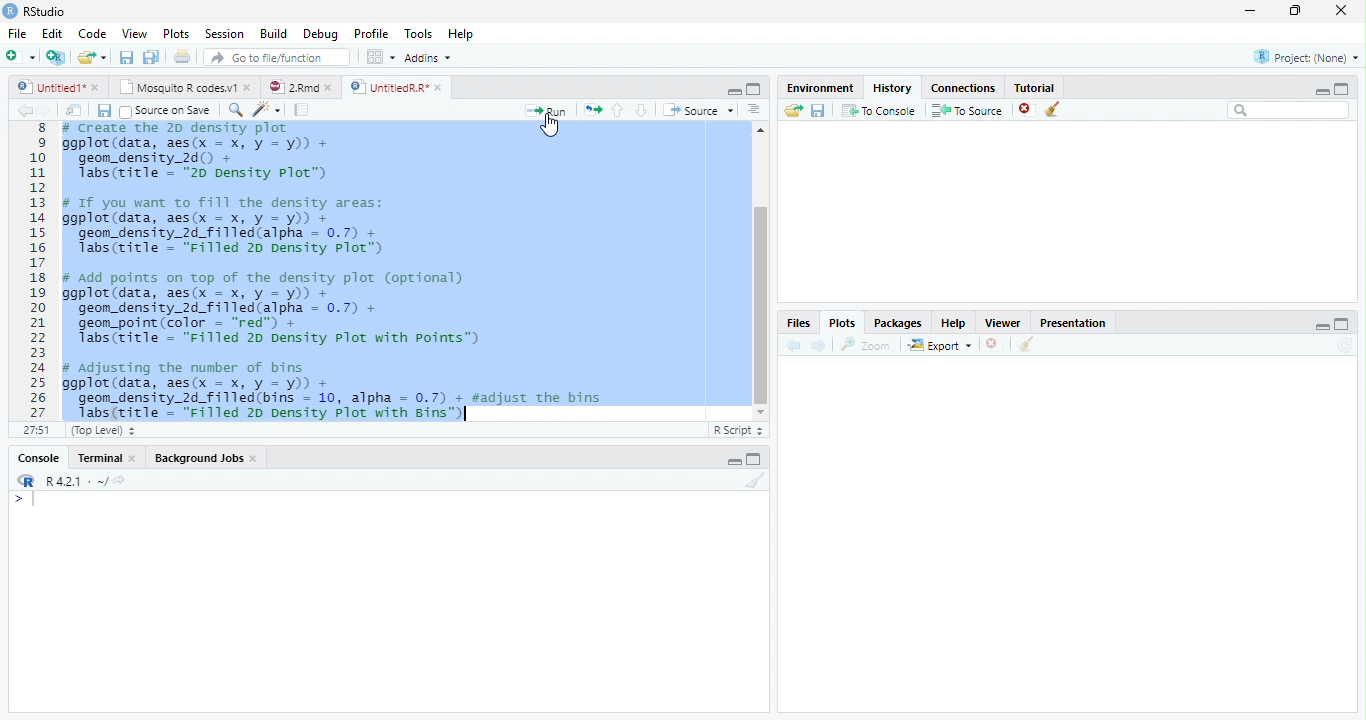 This screenshot has height=720, width=1366. Describe the element at coordinates (1297, 10) in the screenshot. I see `maximize` at that location.